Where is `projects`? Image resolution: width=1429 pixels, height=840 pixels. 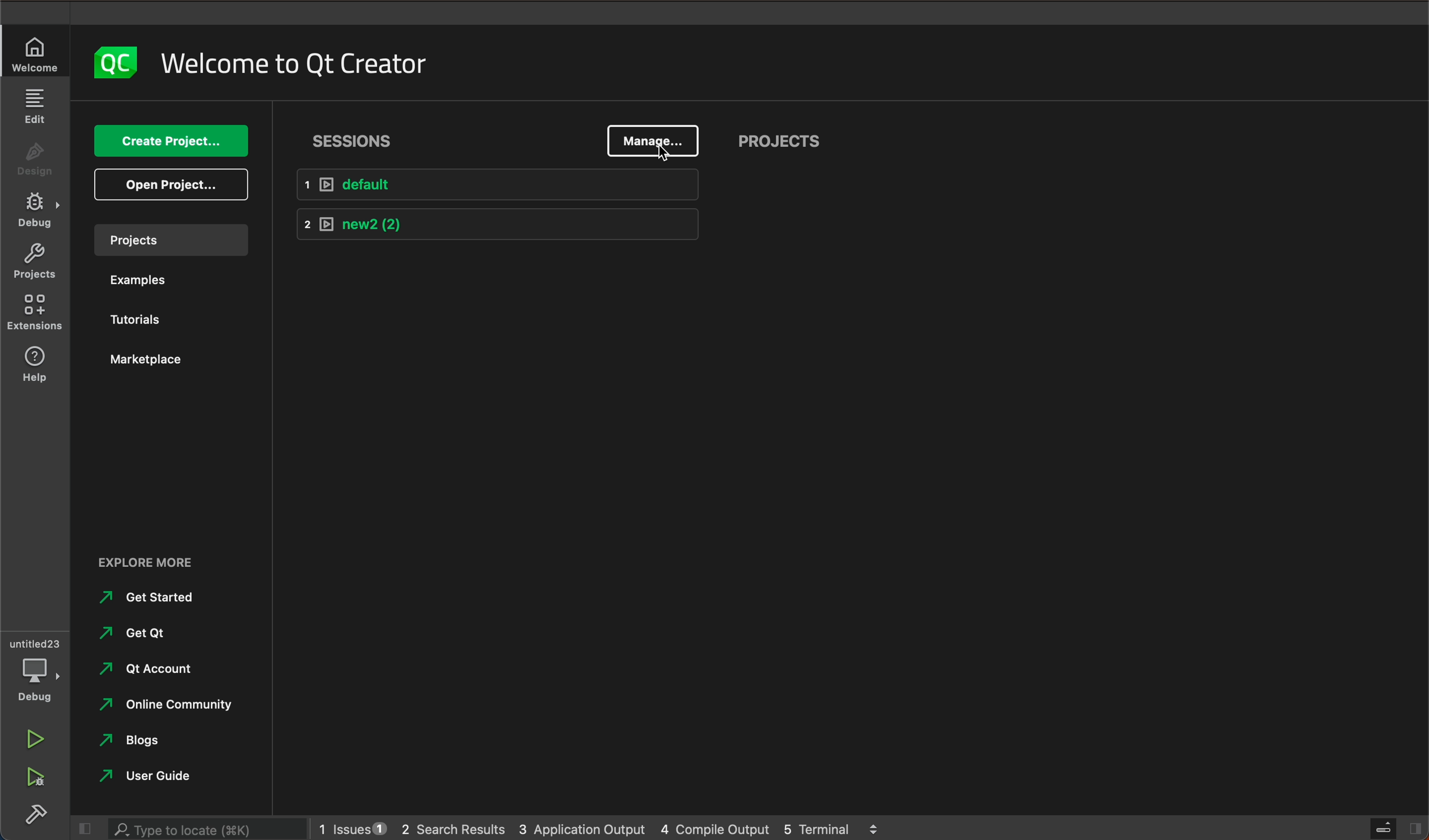
projects is located at coordinates (37, 261).